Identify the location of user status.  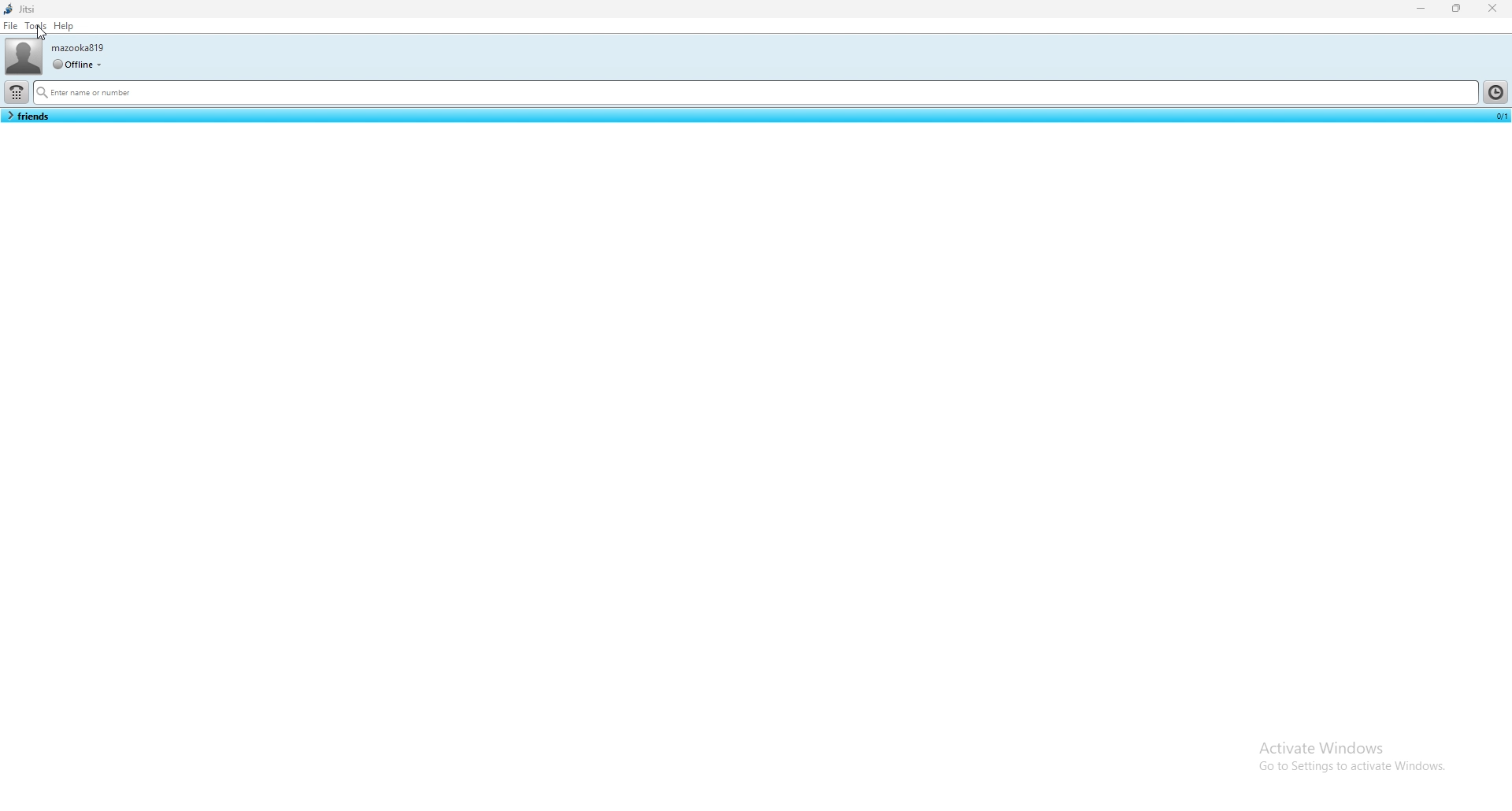
(77, 64).